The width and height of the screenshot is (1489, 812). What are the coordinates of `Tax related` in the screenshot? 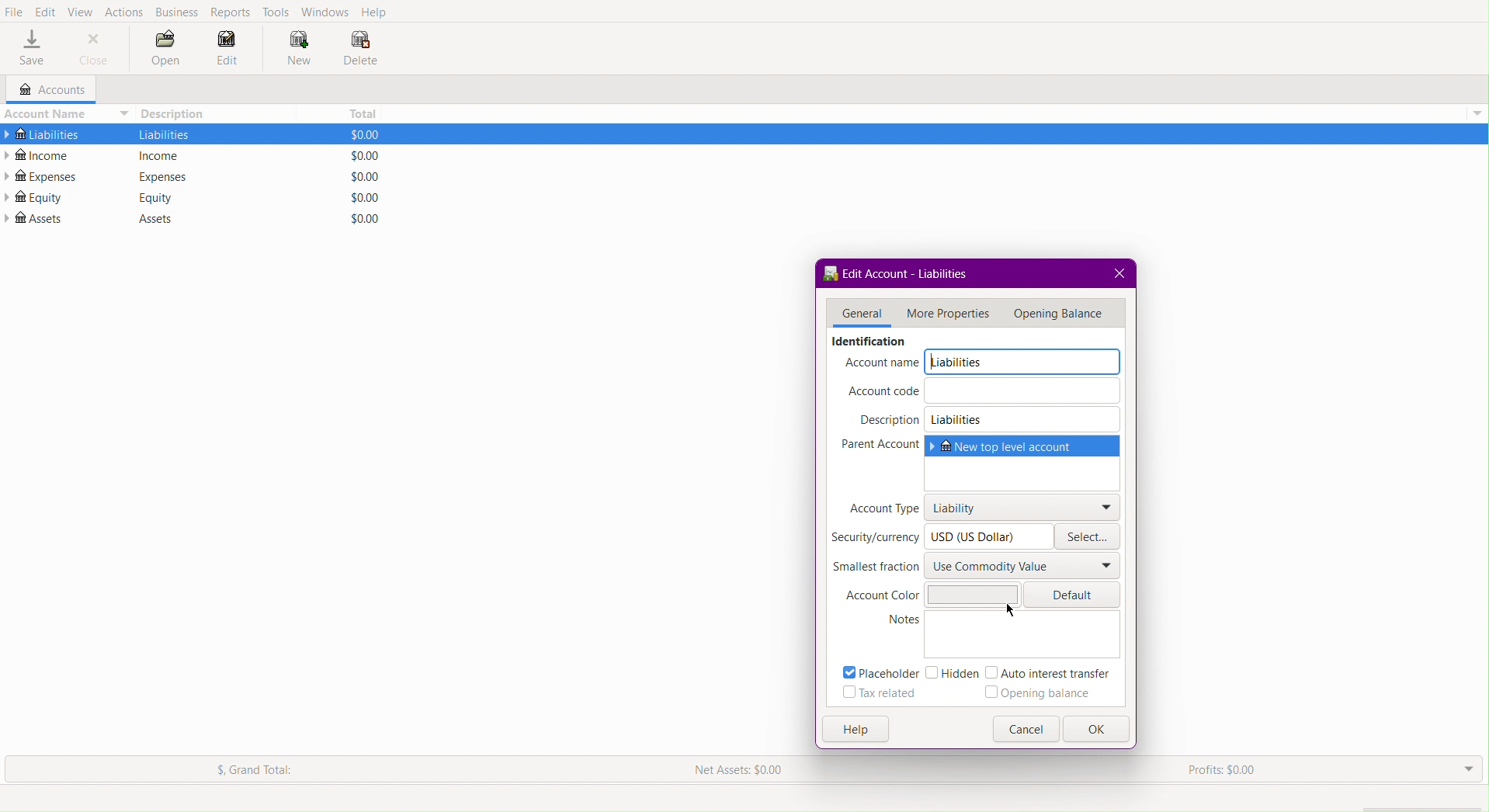 It's located at (880, 692).